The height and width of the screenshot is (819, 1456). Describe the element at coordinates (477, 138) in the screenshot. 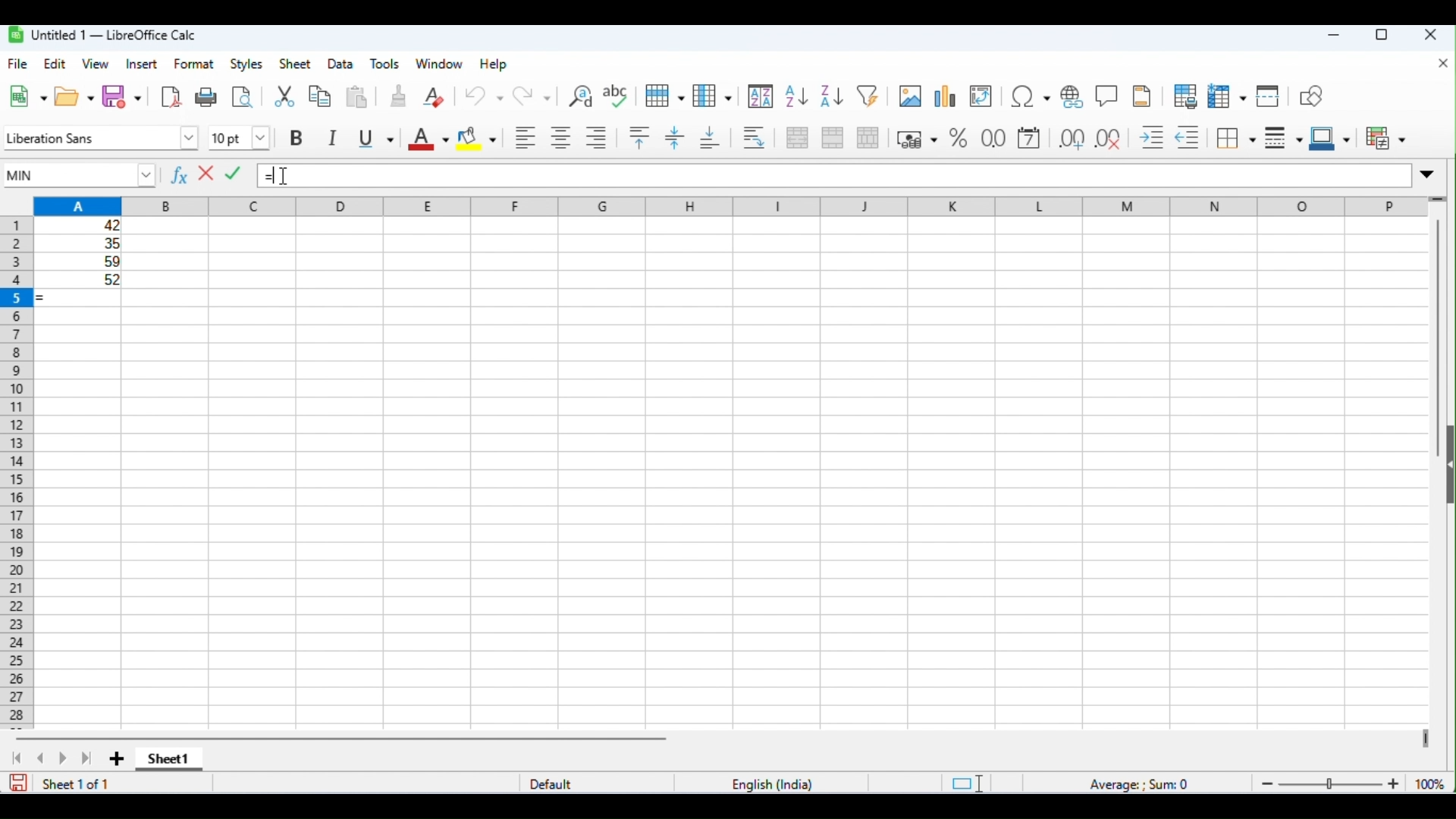

I see `background color` at that location.